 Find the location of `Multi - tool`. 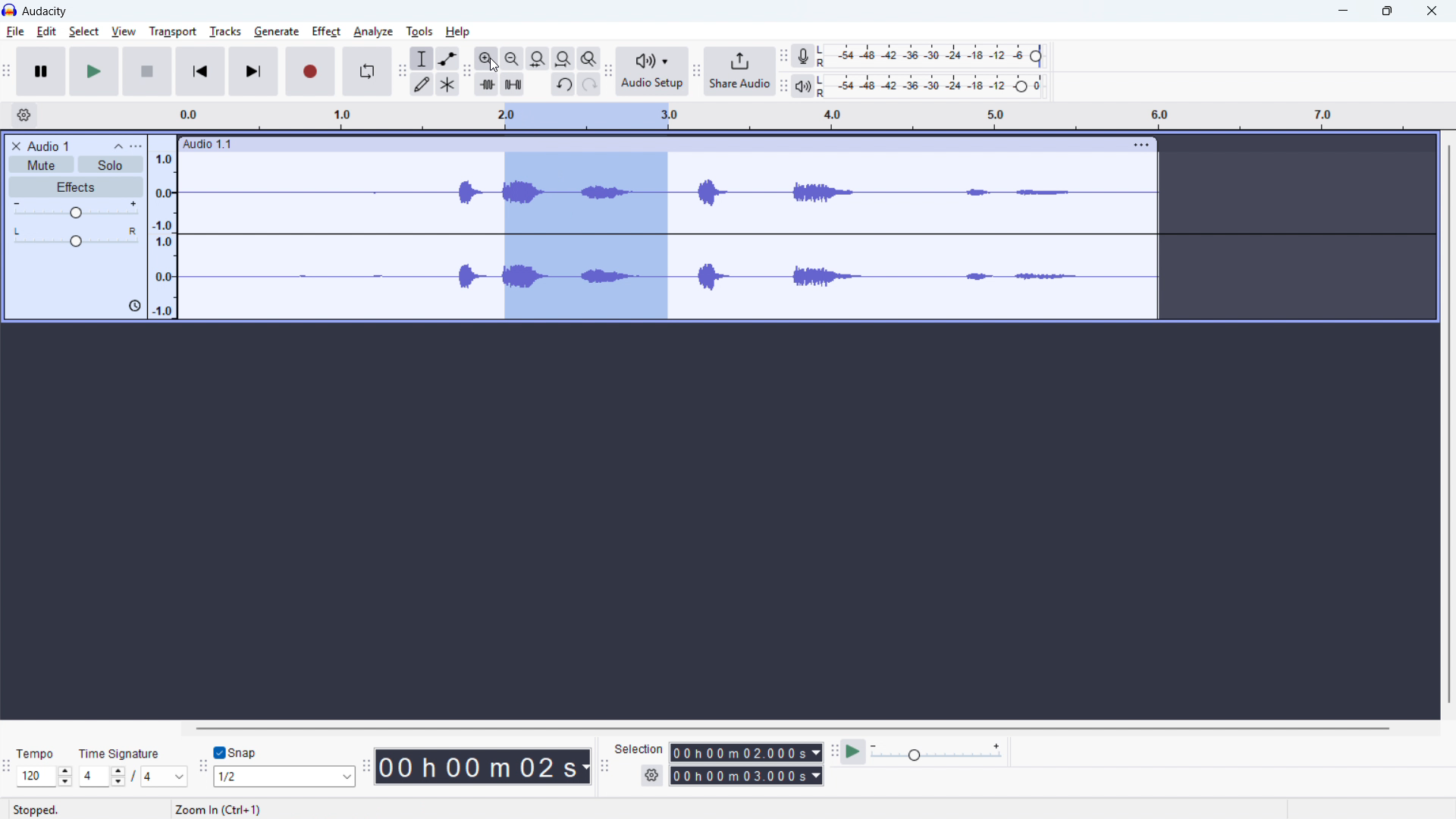

Multi - tool is located at coordinates (447, 84).